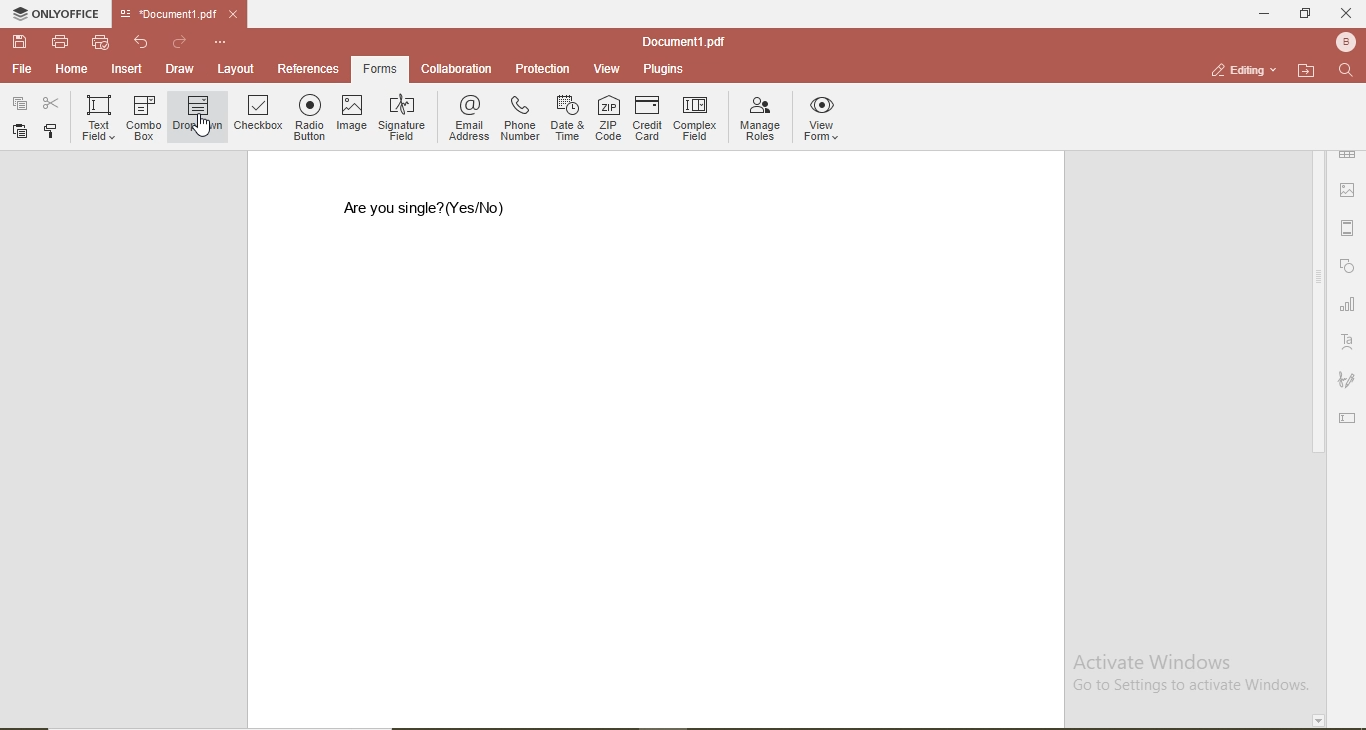 The width and height of the screenshot is (1366, 730). What do you see at coordinates (179, 69) in the screenshot?
I see `draw` at bounding box center [179, 69].